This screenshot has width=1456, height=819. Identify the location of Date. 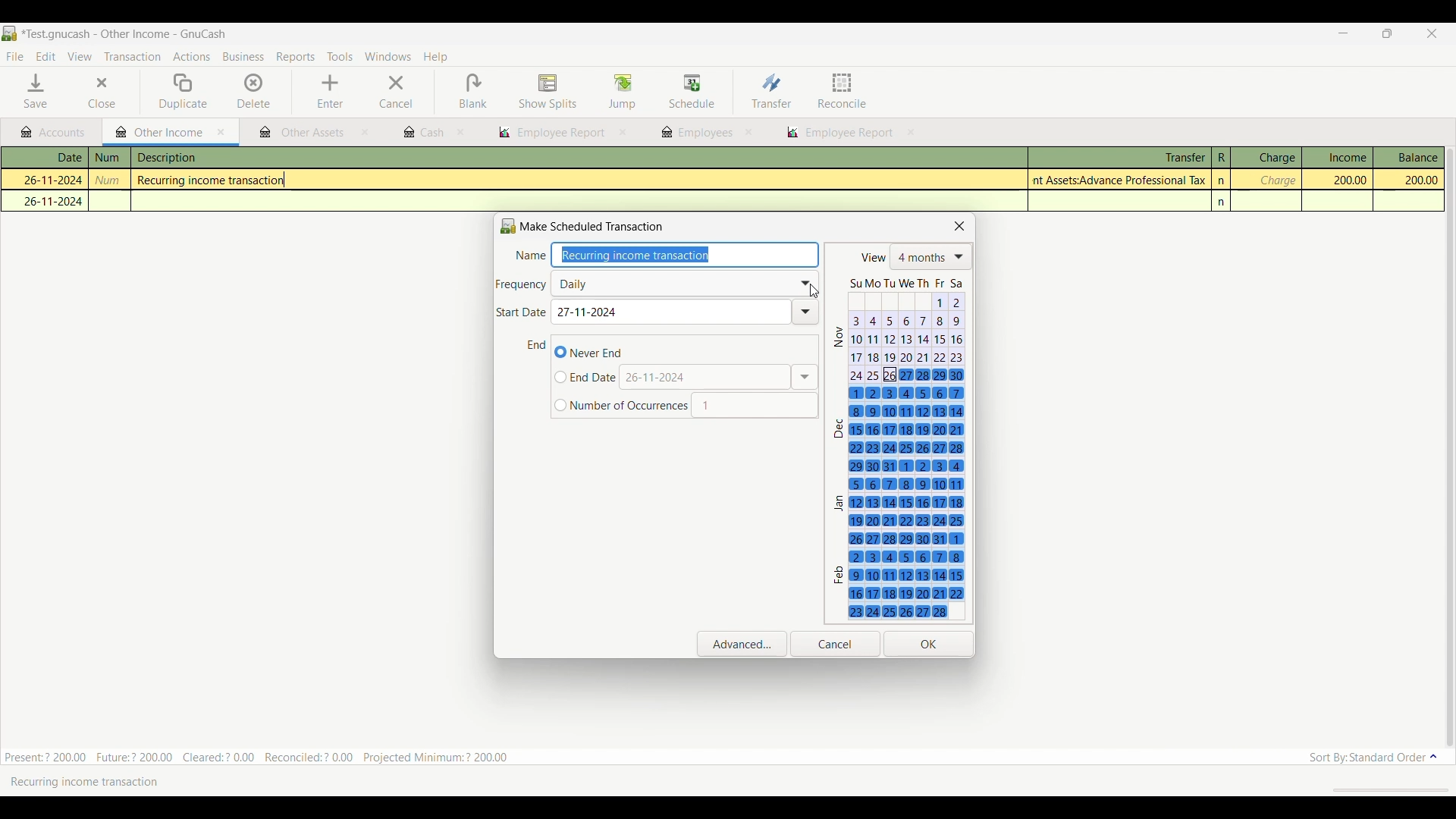
(53, 158).